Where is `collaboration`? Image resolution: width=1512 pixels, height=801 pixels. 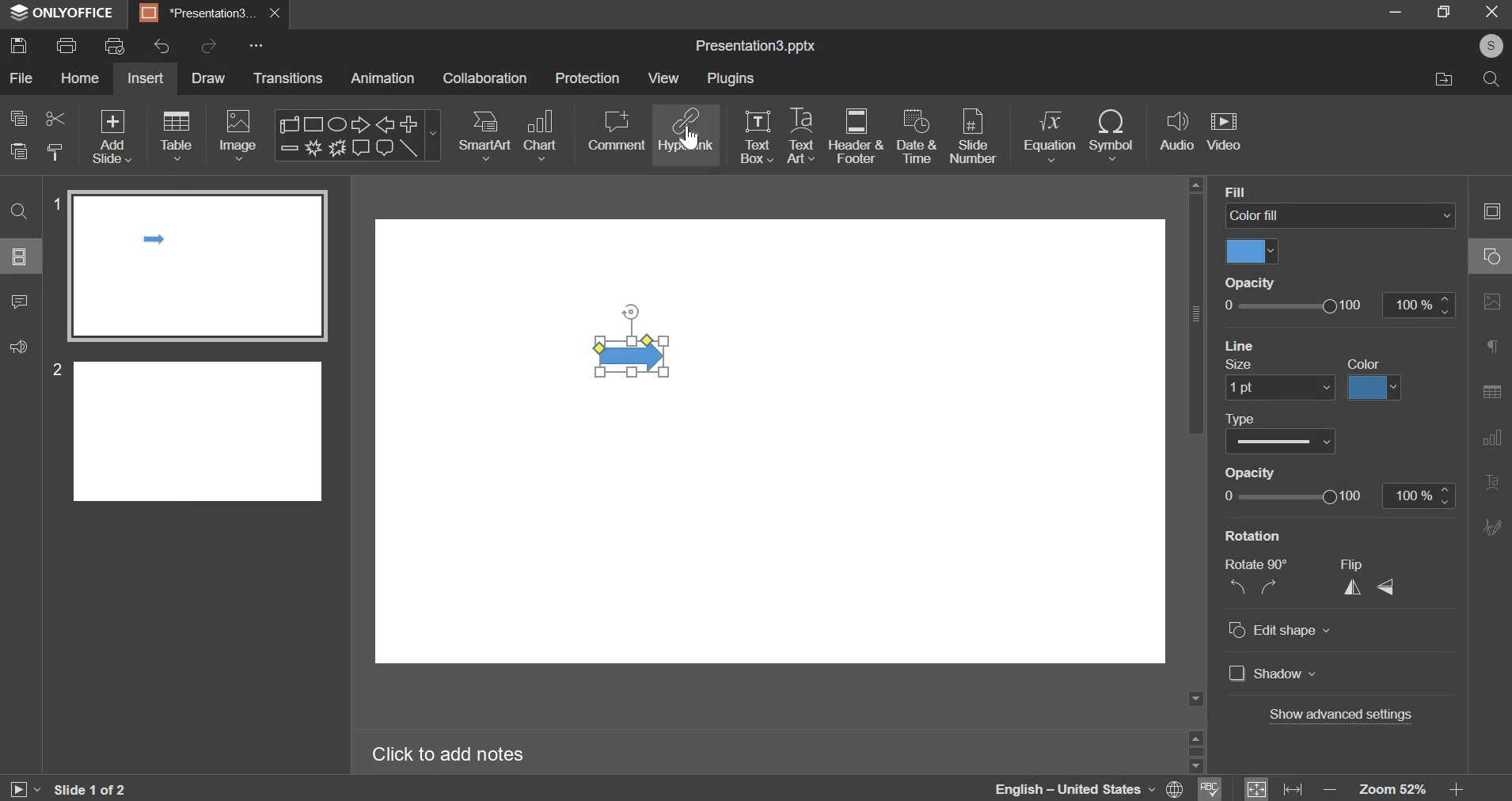 collaboration is located at coordinates (485, 78).